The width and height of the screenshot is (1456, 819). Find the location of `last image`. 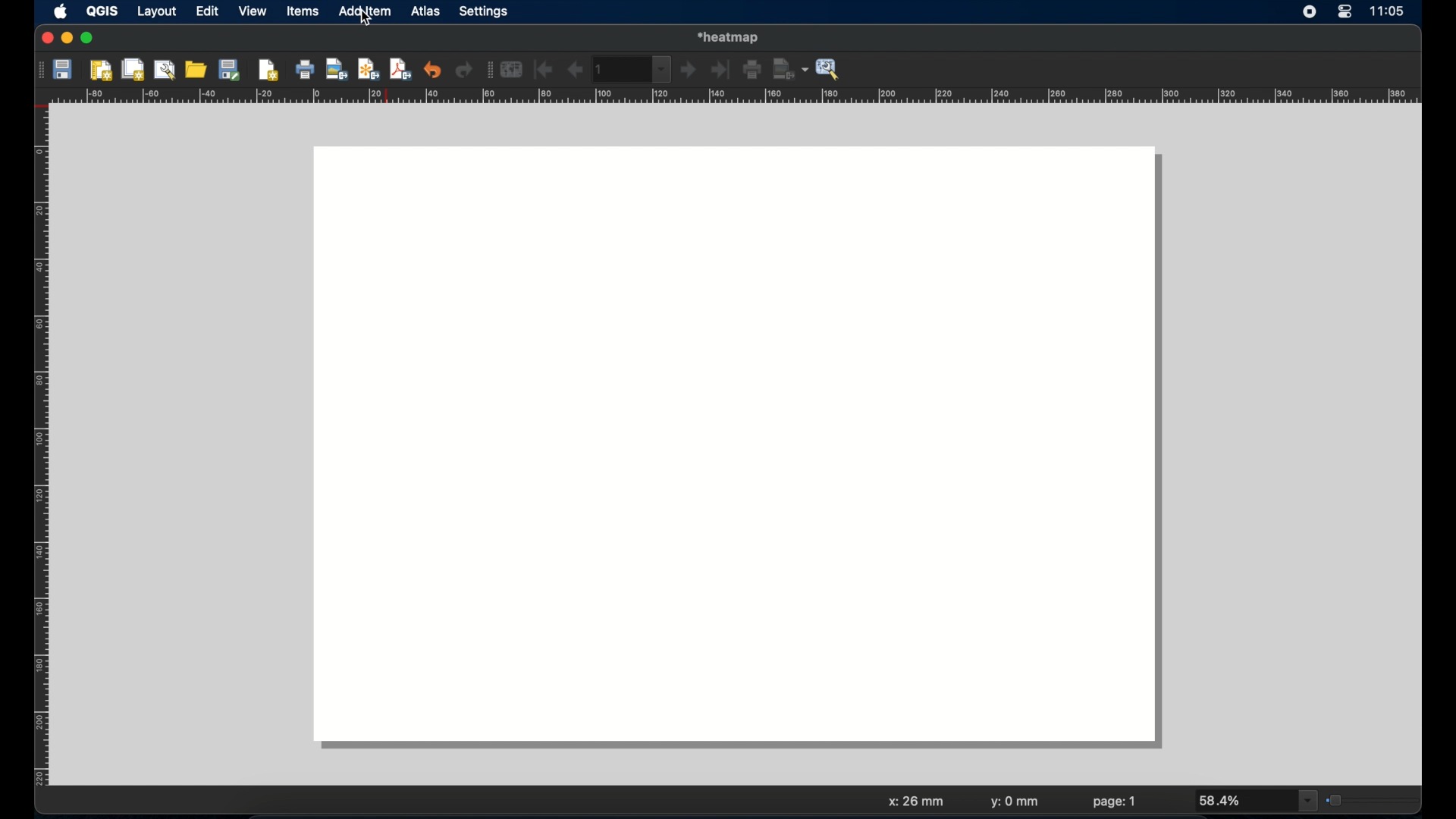

last image is located at coordinates (723, 71).